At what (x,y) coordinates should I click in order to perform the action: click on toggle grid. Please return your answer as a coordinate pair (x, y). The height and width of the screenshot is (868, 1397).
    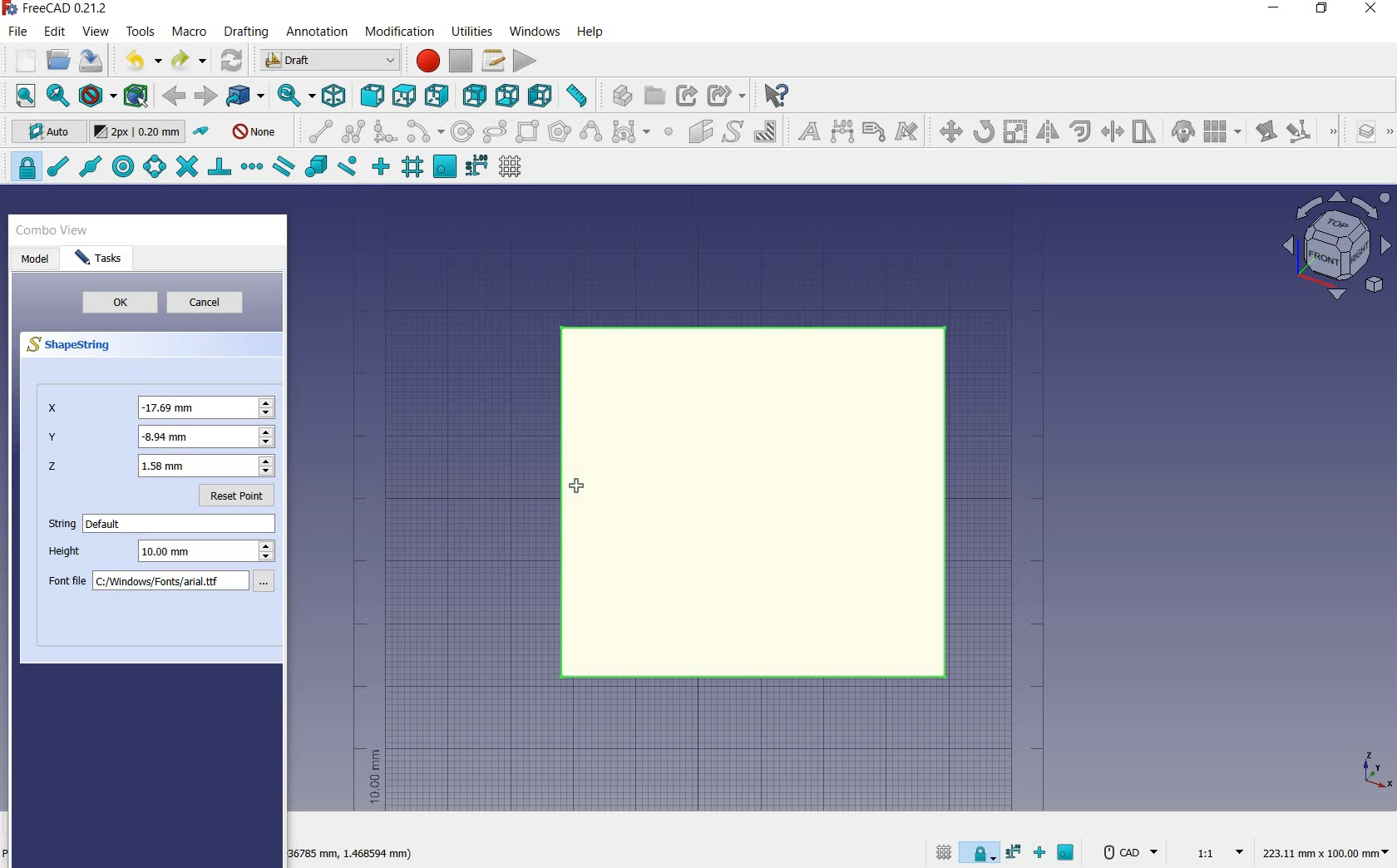
    Looking at the image, I should click on (512, 167).